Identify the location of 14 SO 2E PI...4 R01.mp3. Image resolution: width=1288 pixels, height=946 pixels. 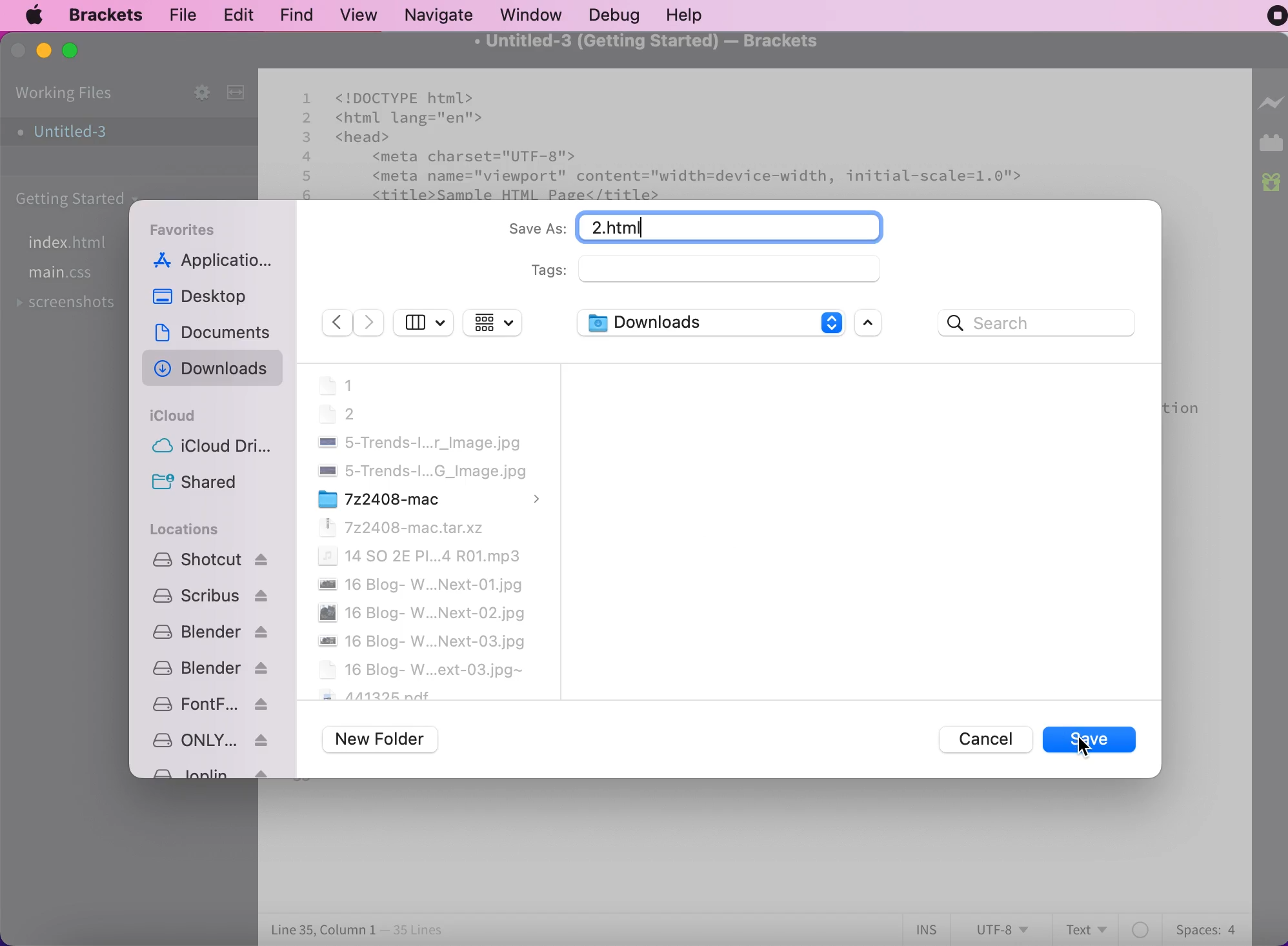
(418, 556).